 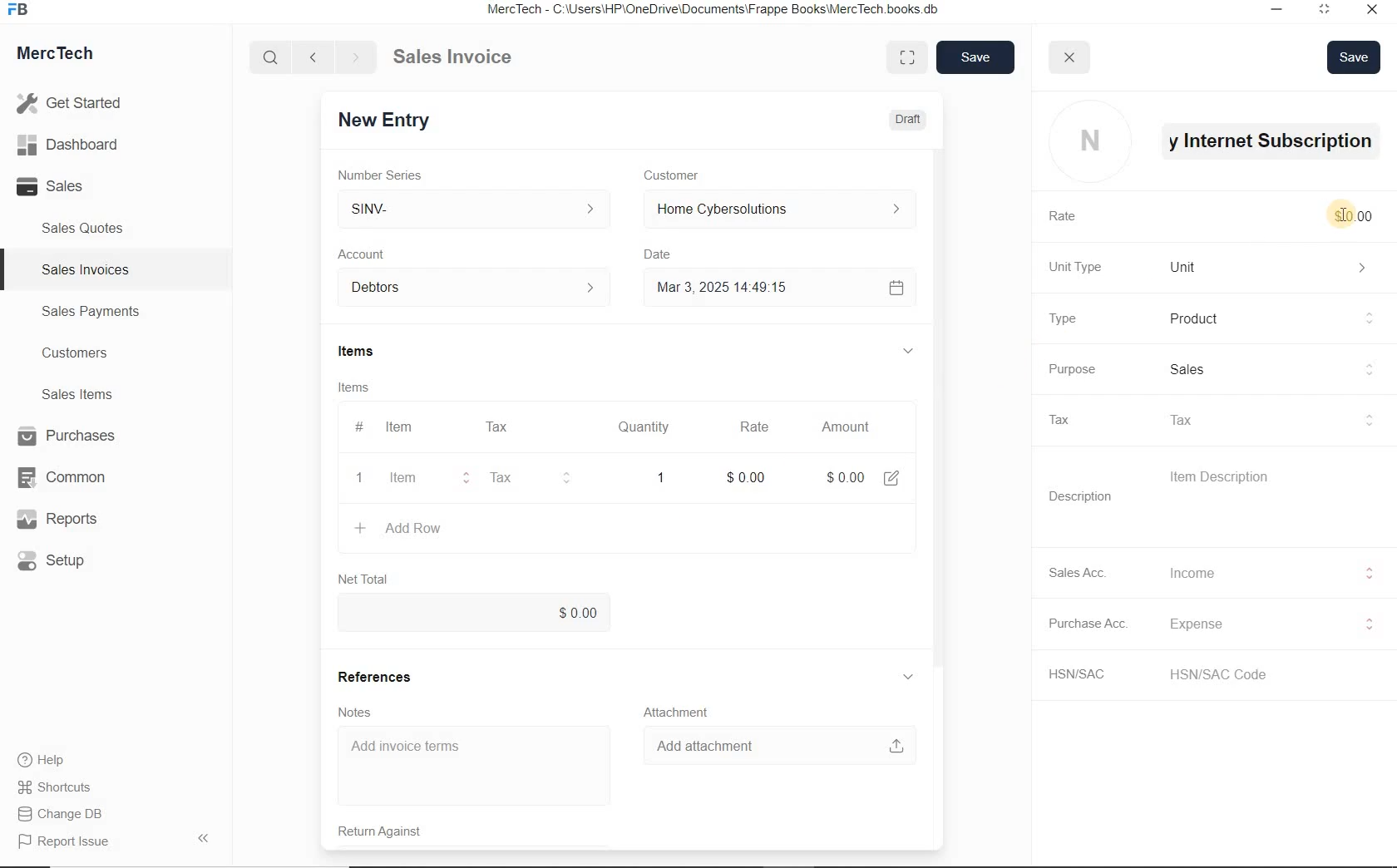 I want to click on Purpose, so click(x=1070, y=369).